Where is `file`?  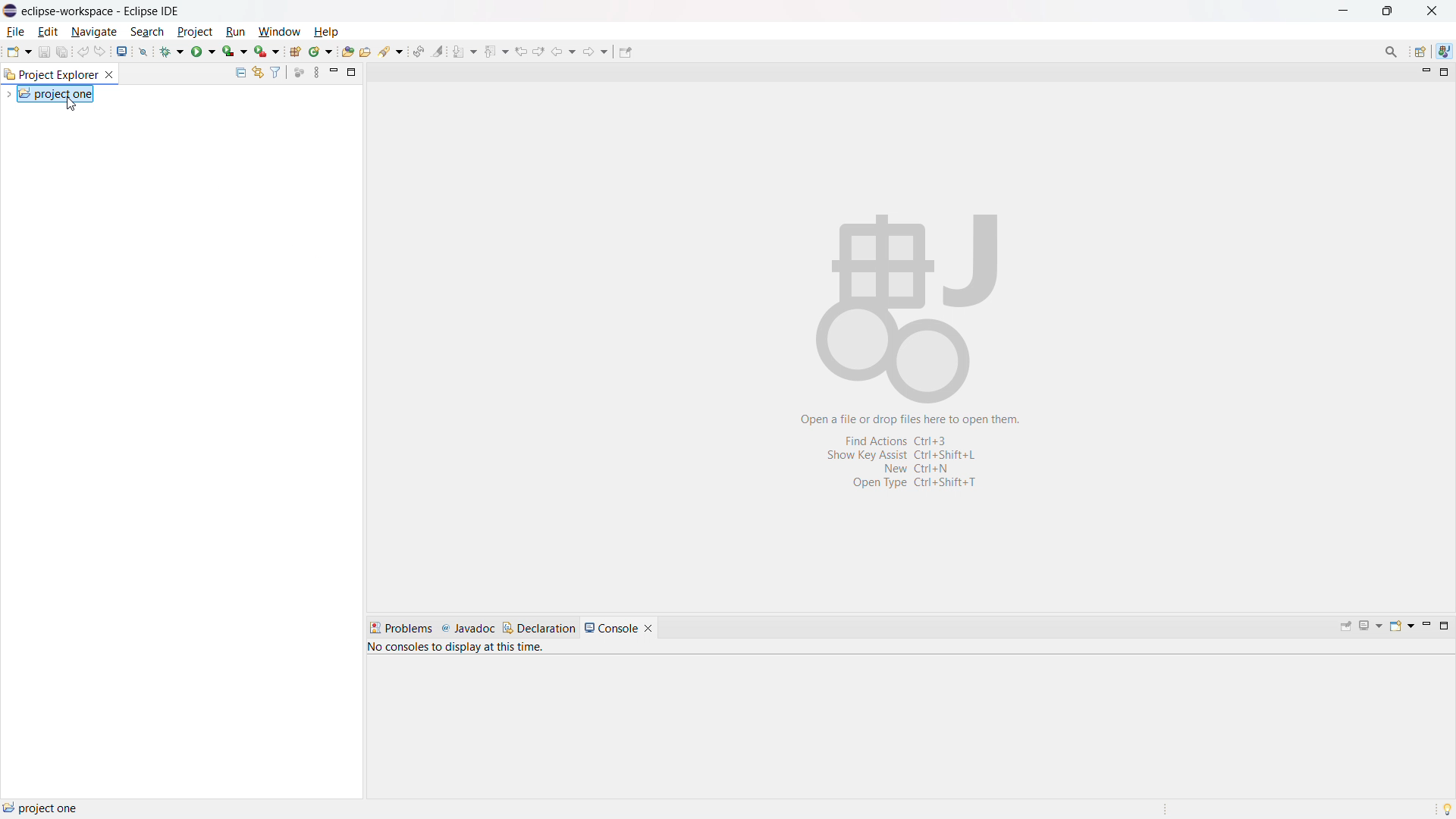
file is located at coordinates (16, 32).